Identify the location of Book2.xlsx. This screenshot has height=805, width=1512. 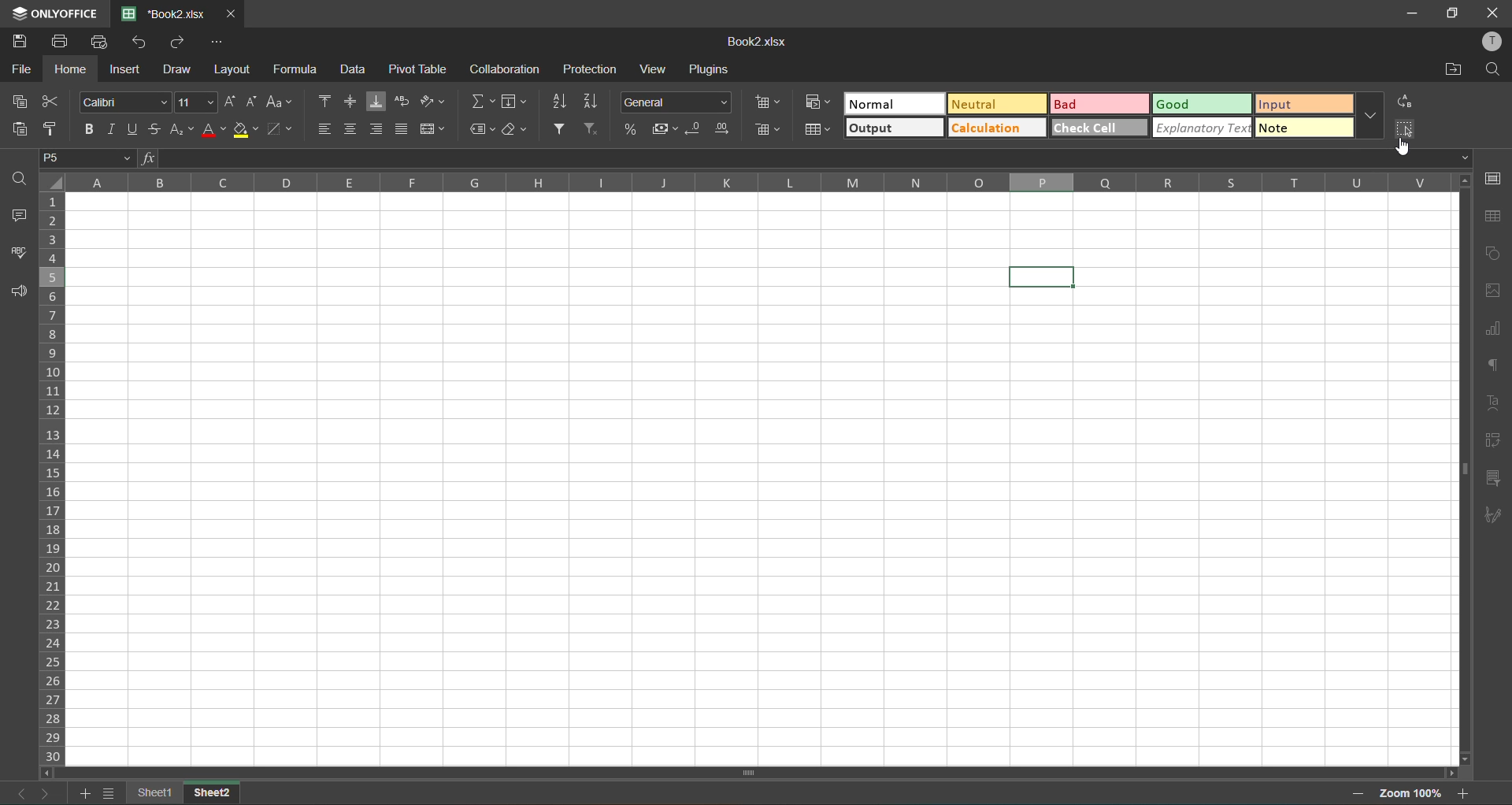
(761, 43).